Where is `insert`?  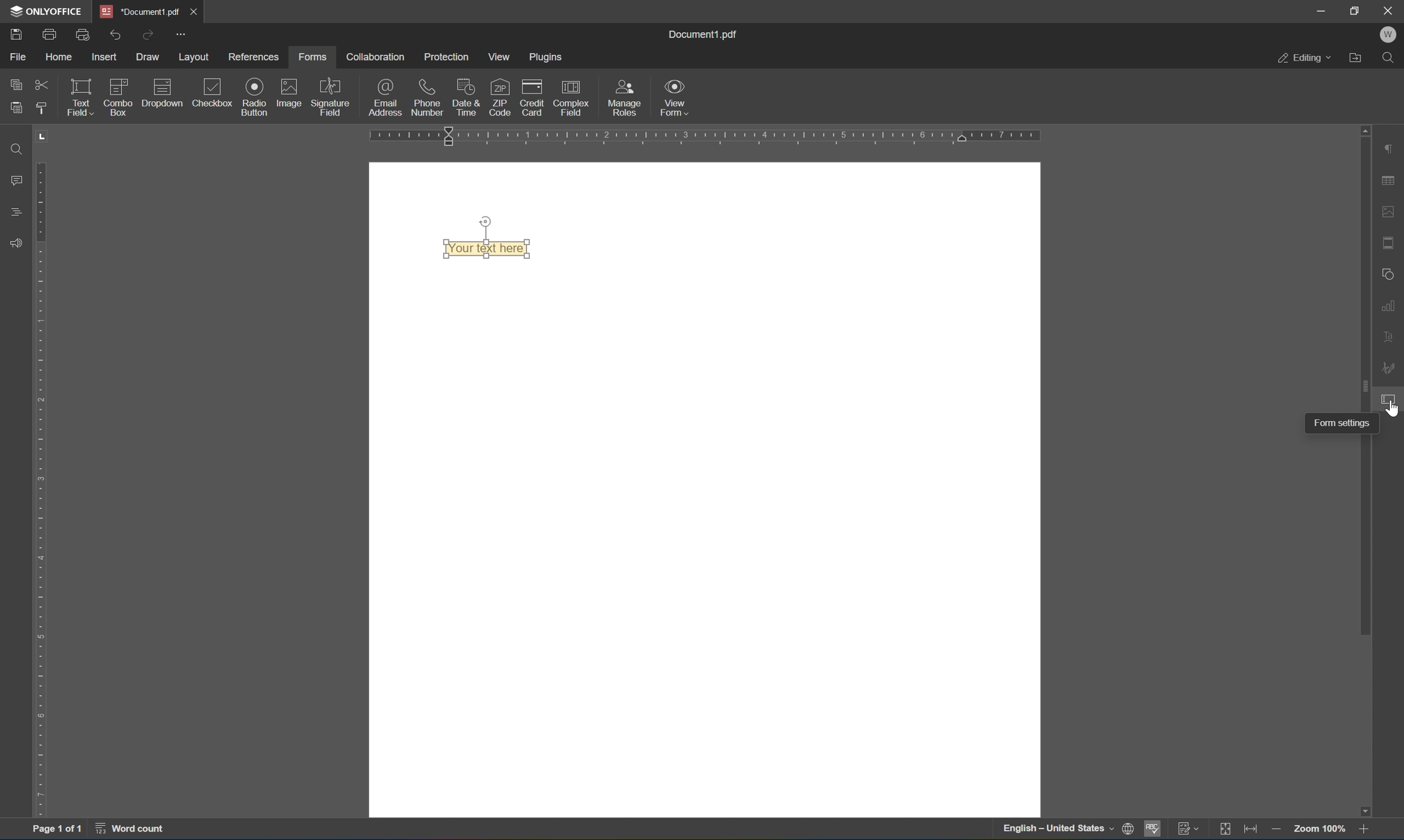
insert is located at coordinates (103, 57).